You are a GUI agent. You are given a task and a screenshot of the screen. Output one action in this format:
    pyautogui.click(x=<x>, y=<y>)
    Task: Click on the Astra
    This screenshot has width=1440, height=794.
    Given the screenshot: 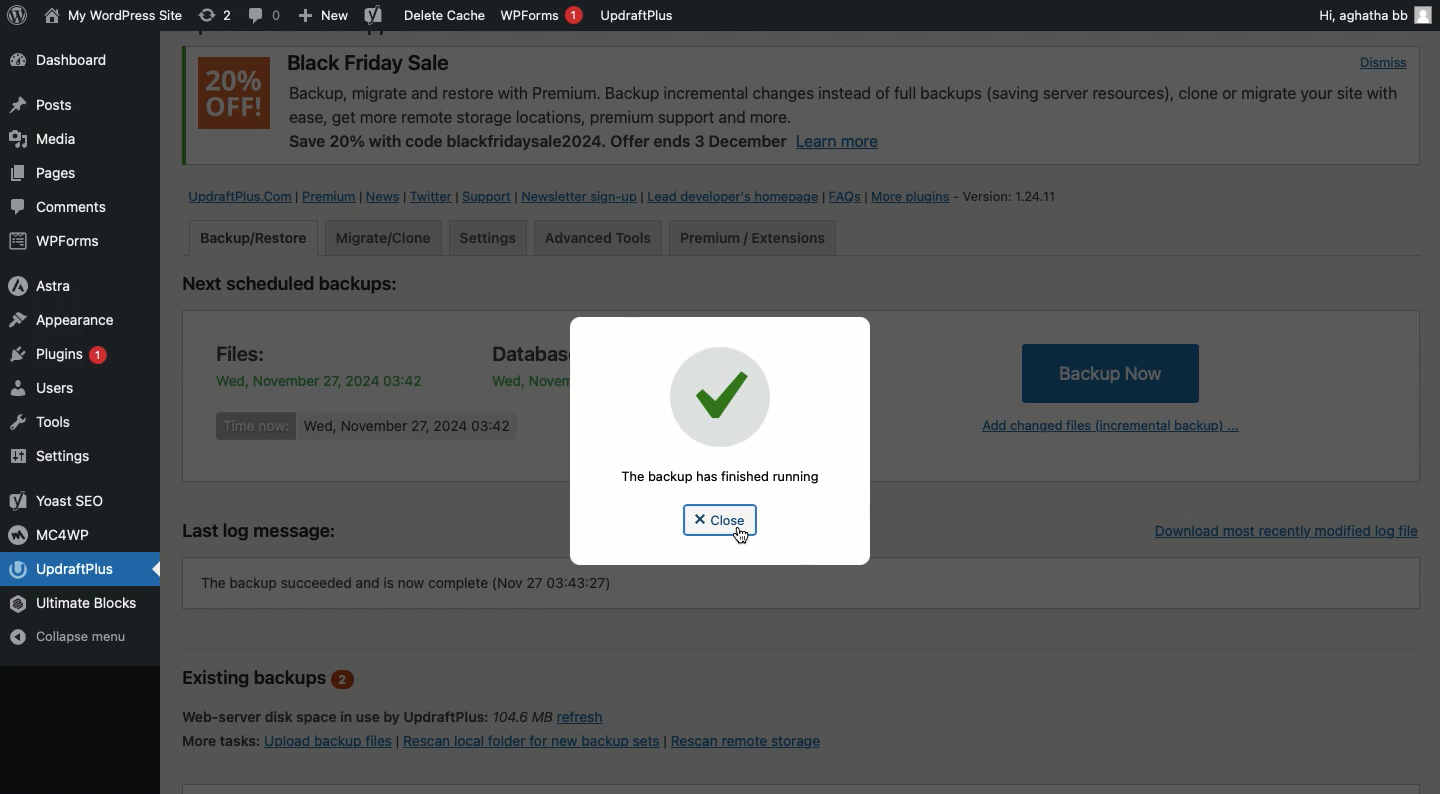 What is the action you would take?
    pyautogui.click(x=57, y=284)
    